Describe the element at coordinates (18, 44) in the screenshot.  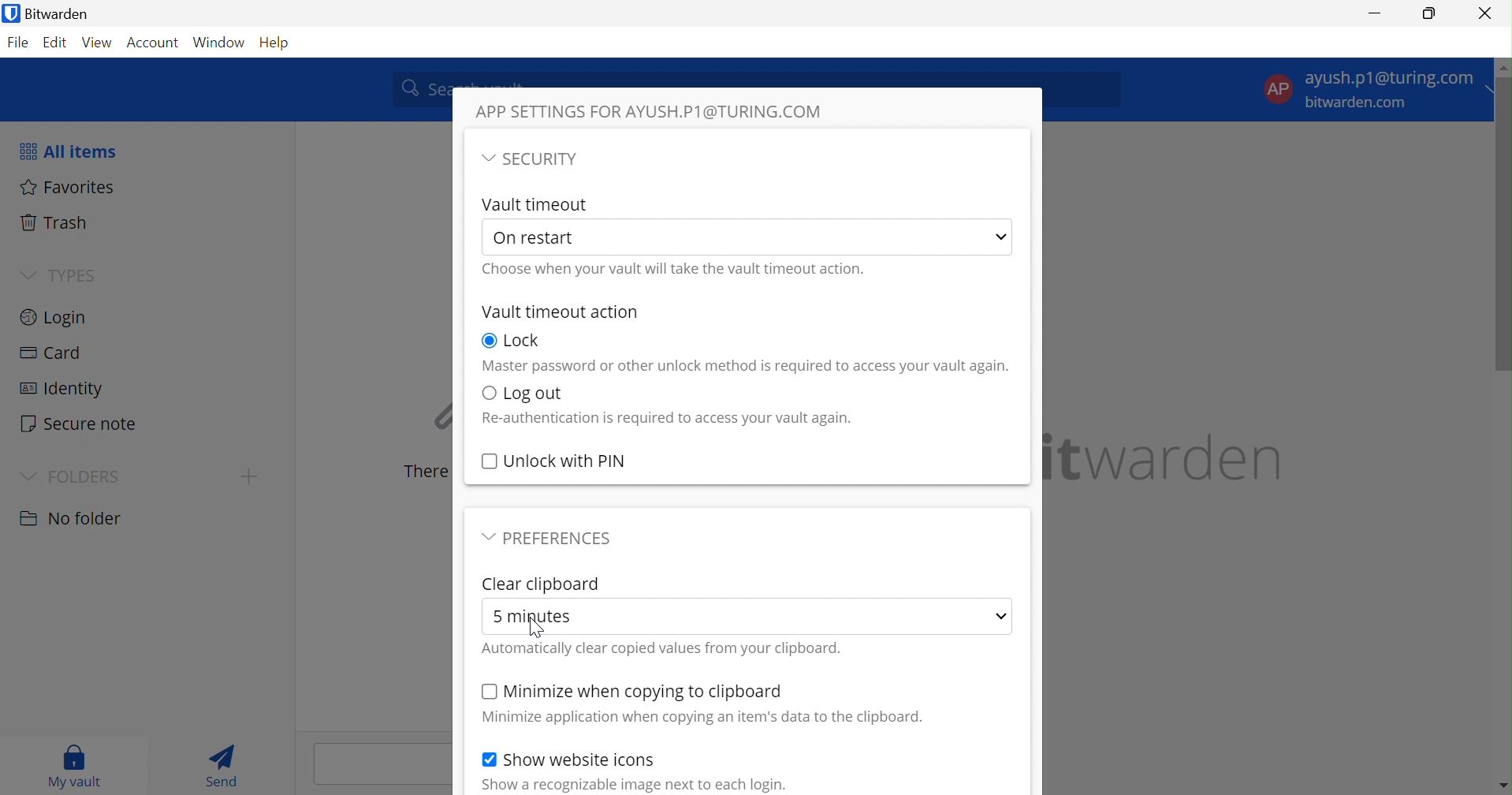
I see `File` at that location.